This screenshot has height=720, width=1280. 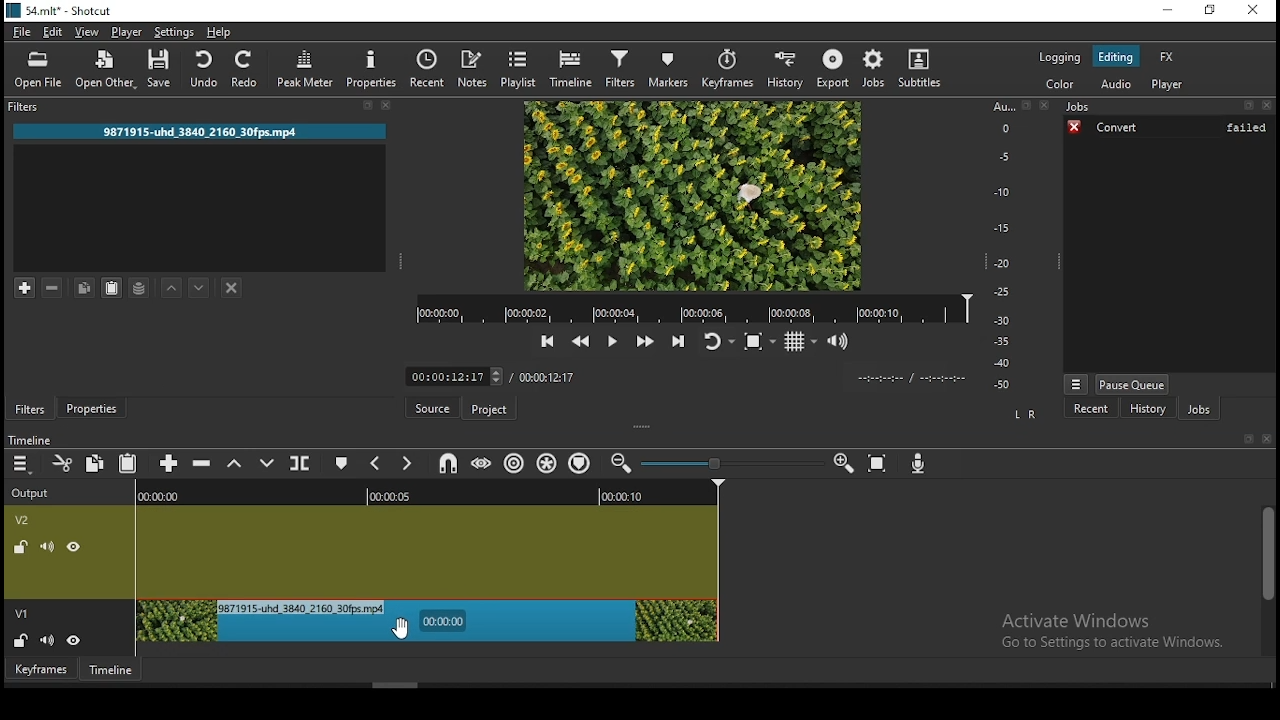 I want to click on add filter, so click(x=24, y=288).